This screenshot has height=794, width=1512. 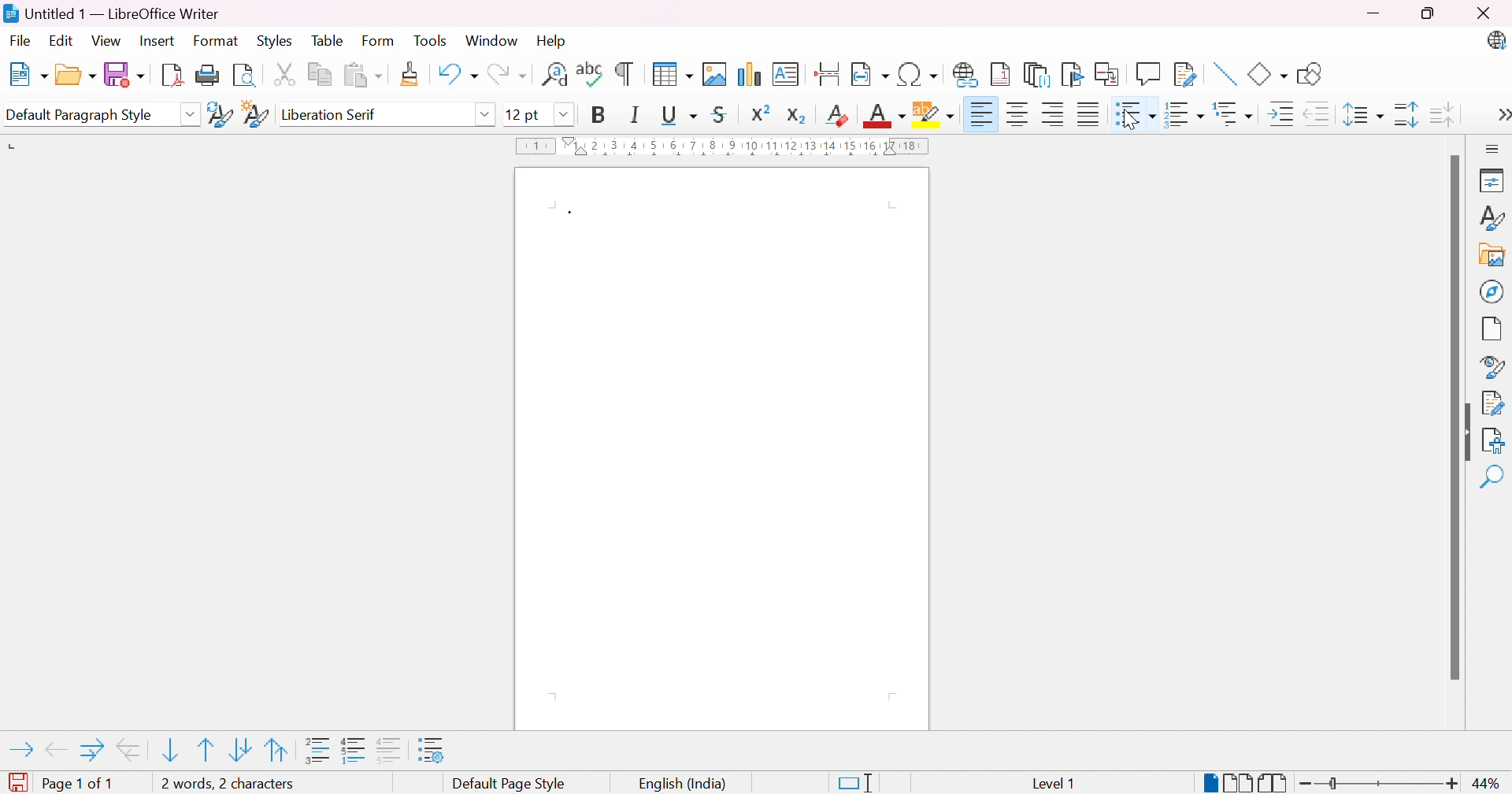 What do you see at coordinates (57, 785) in the screenshot?
I see `Page 1 of 1` at bounding box center [57, 785].